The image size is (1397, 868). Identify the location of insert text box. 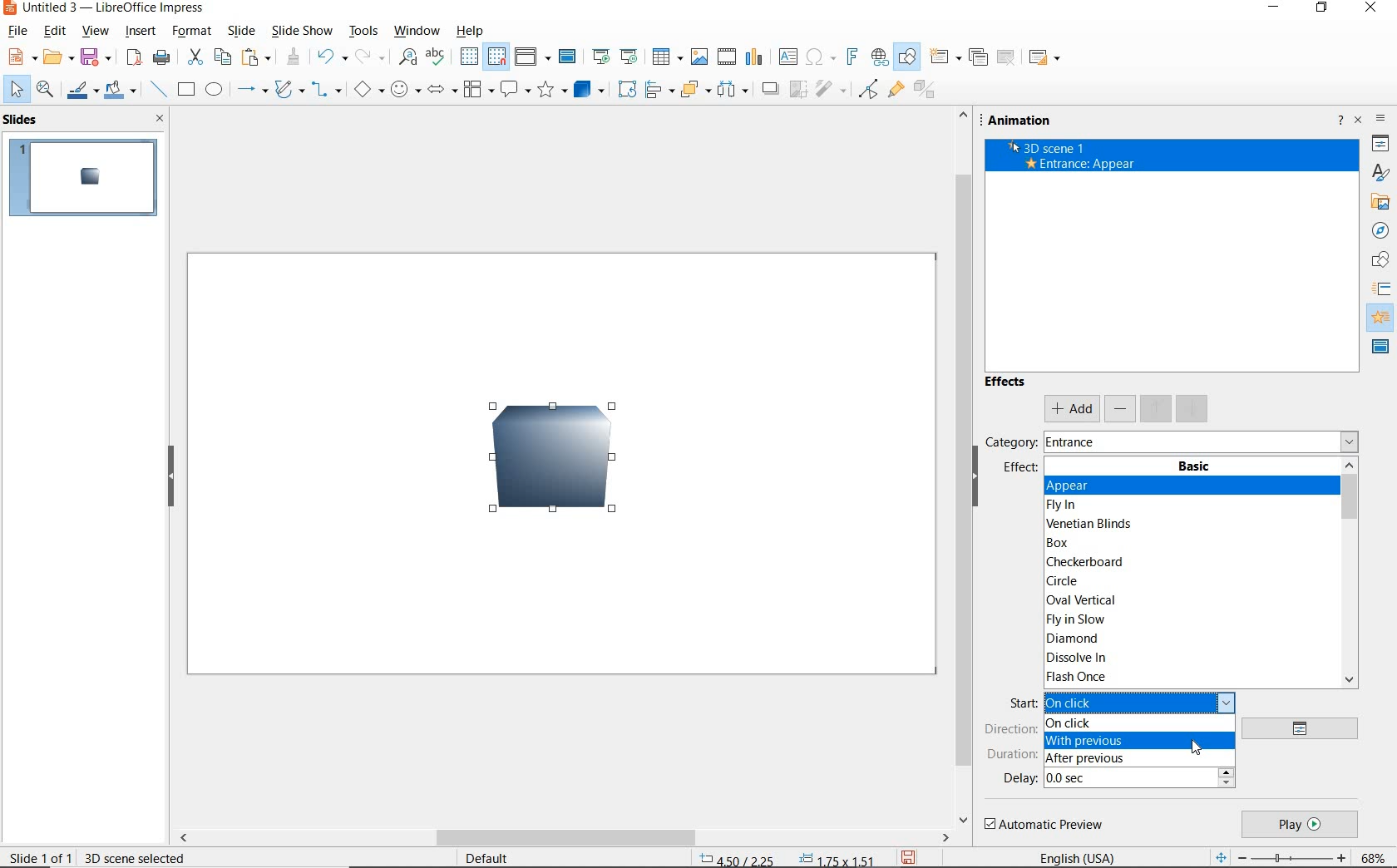
(787, 57).